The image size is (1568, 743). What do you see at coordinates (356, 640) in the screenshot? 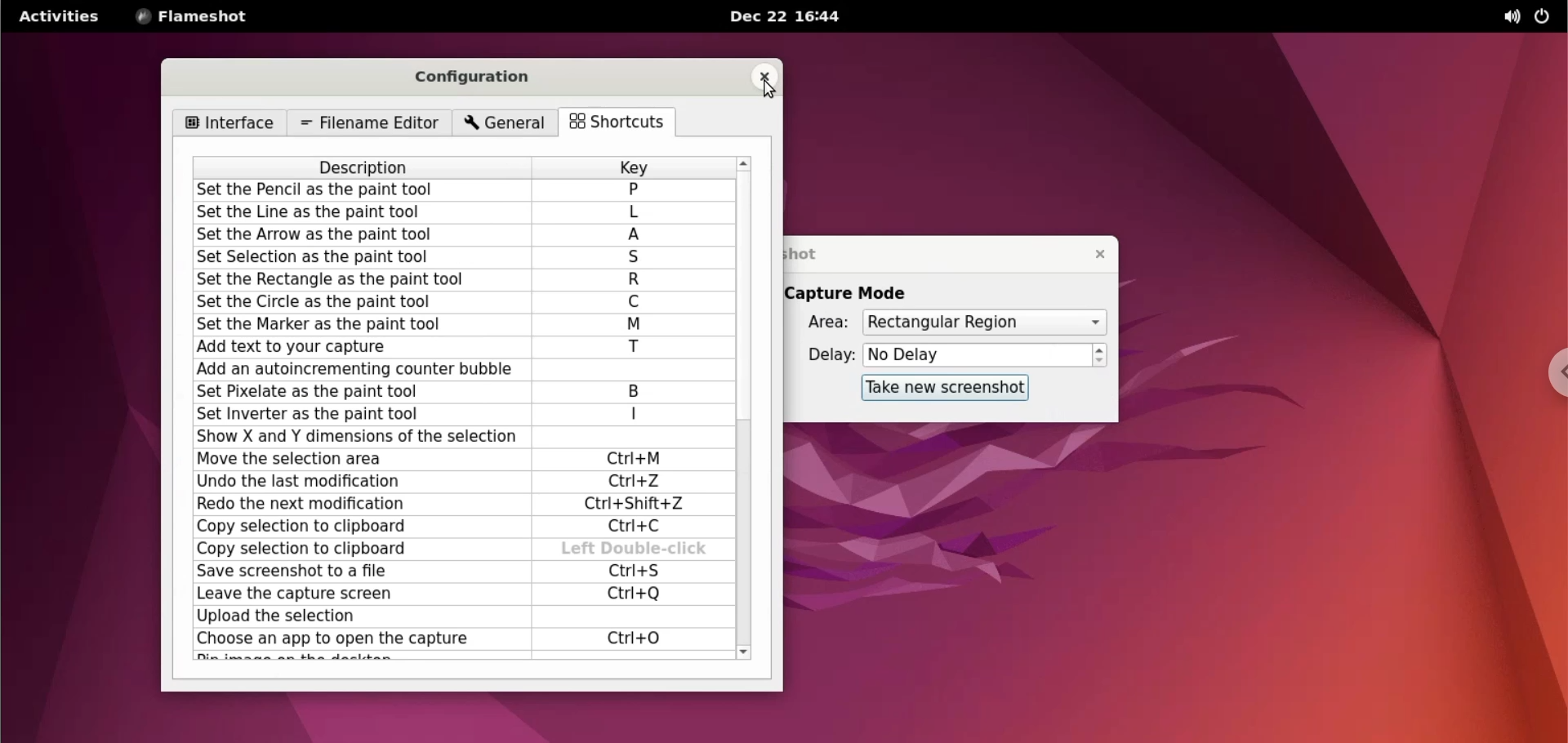
I see `choose an app to open the capture` at bounding box center [356, 640].